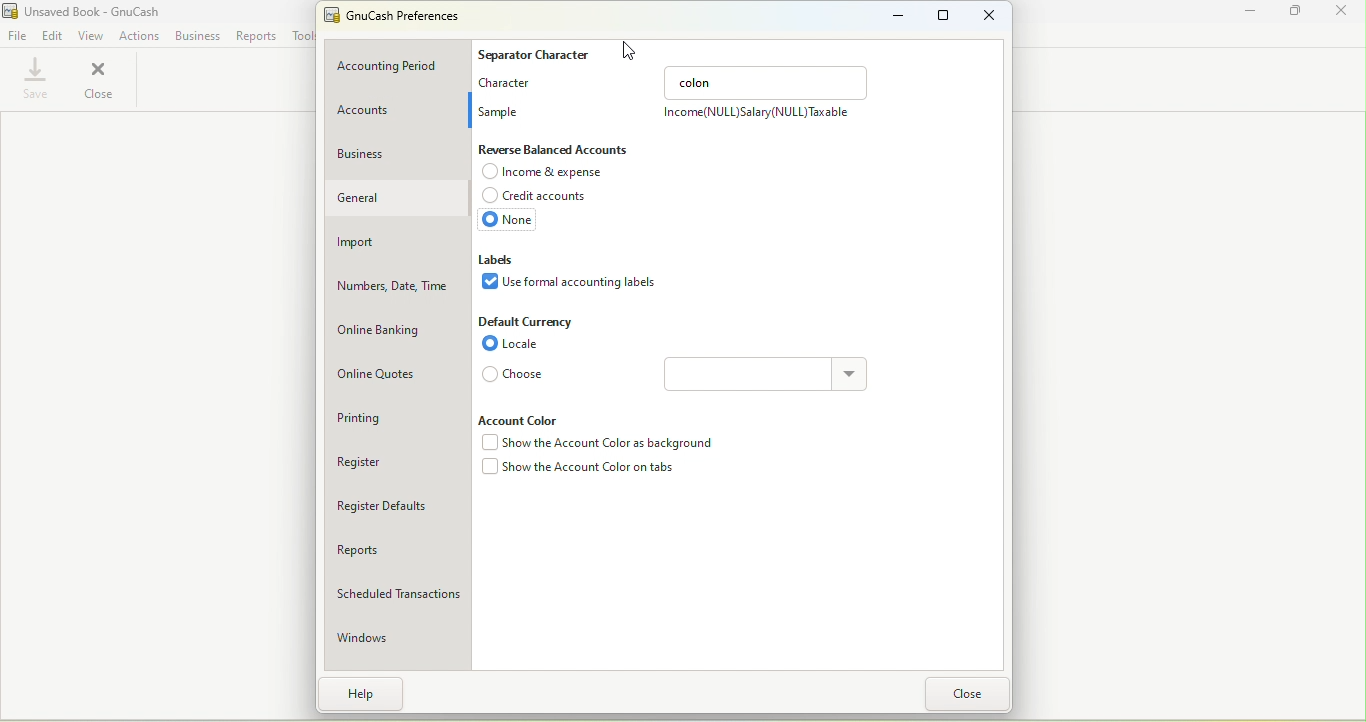 Image resolution: width=1366 pixels, height=722 pixels. Describe the element at coordinates (197, 34) in the screenshot. I see `Business` at that location.